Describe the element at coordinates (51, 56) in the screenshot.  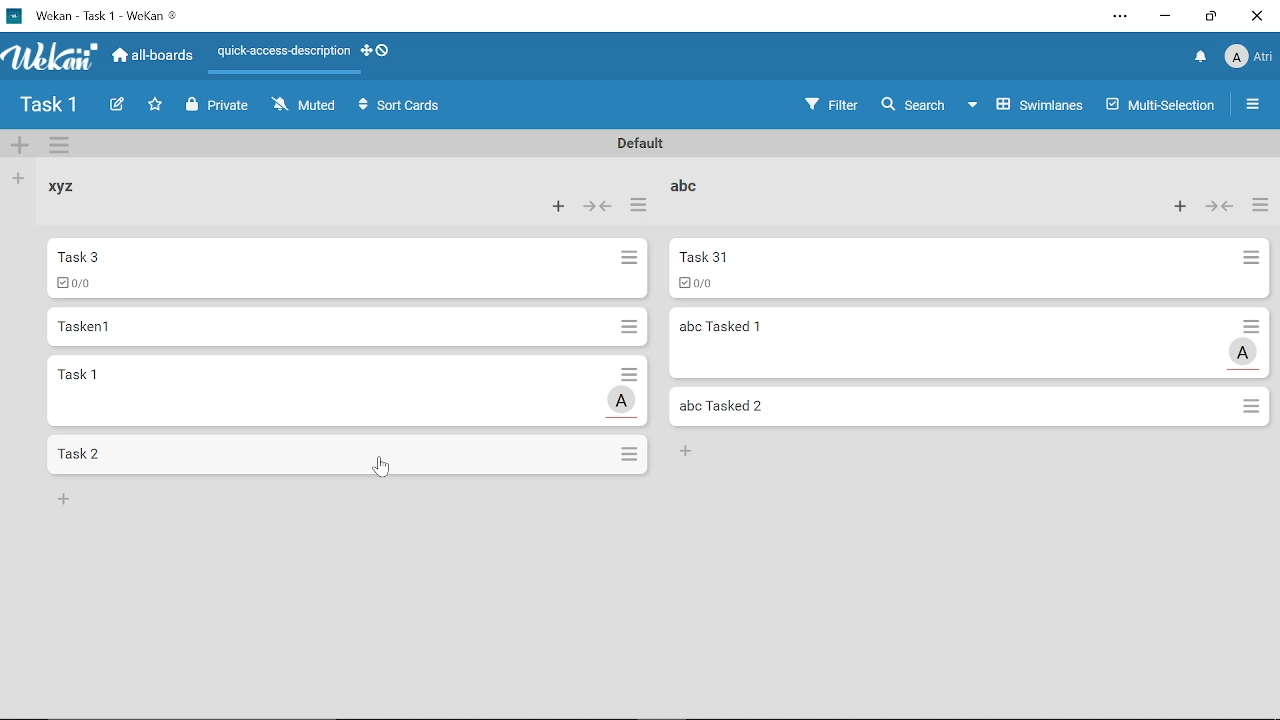
I see `App logo` at that location.